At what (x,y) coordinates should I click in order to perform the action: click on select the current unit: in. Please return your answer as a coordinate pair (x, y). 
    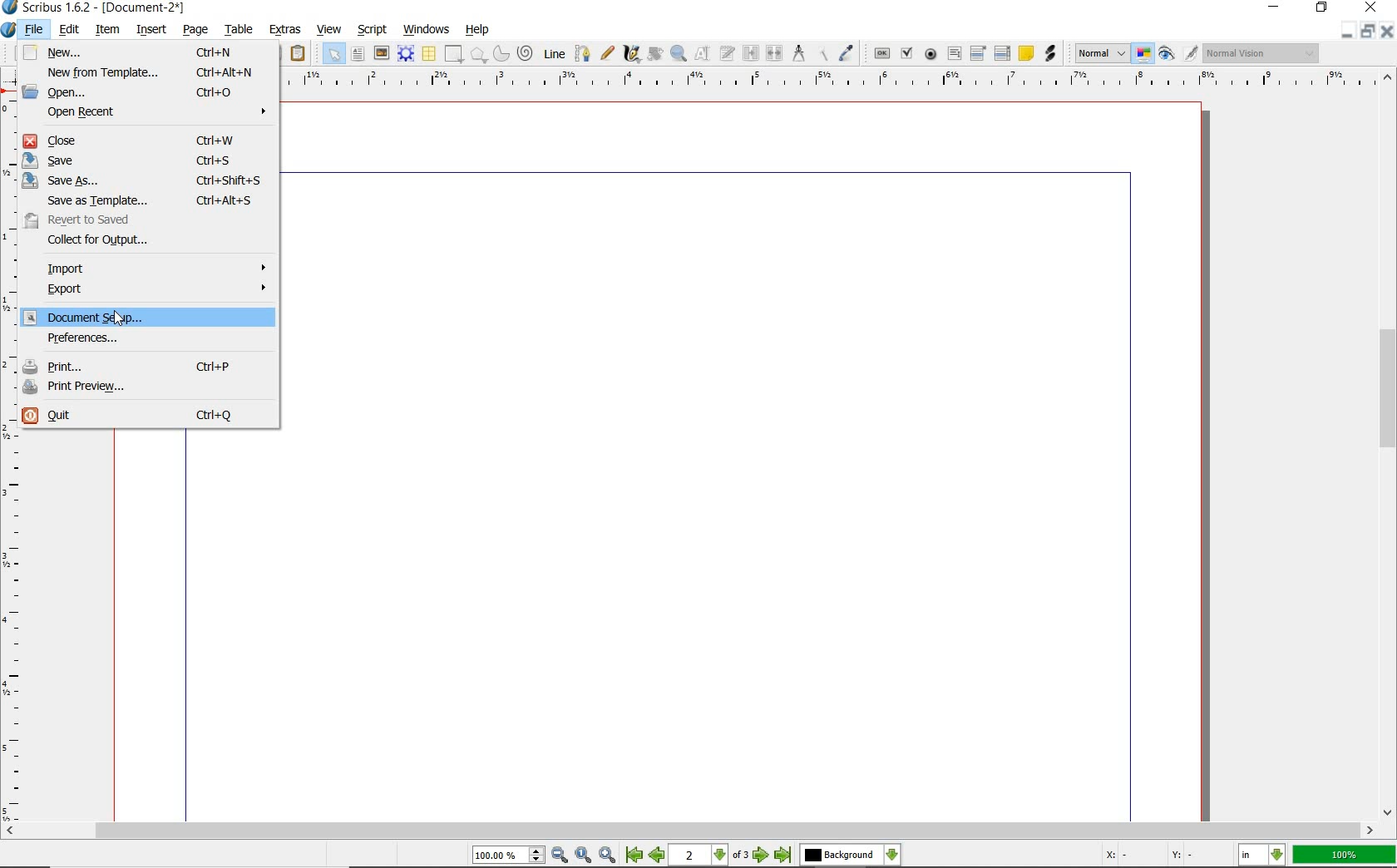
    Looking at the image, I should click on (1263, 856).